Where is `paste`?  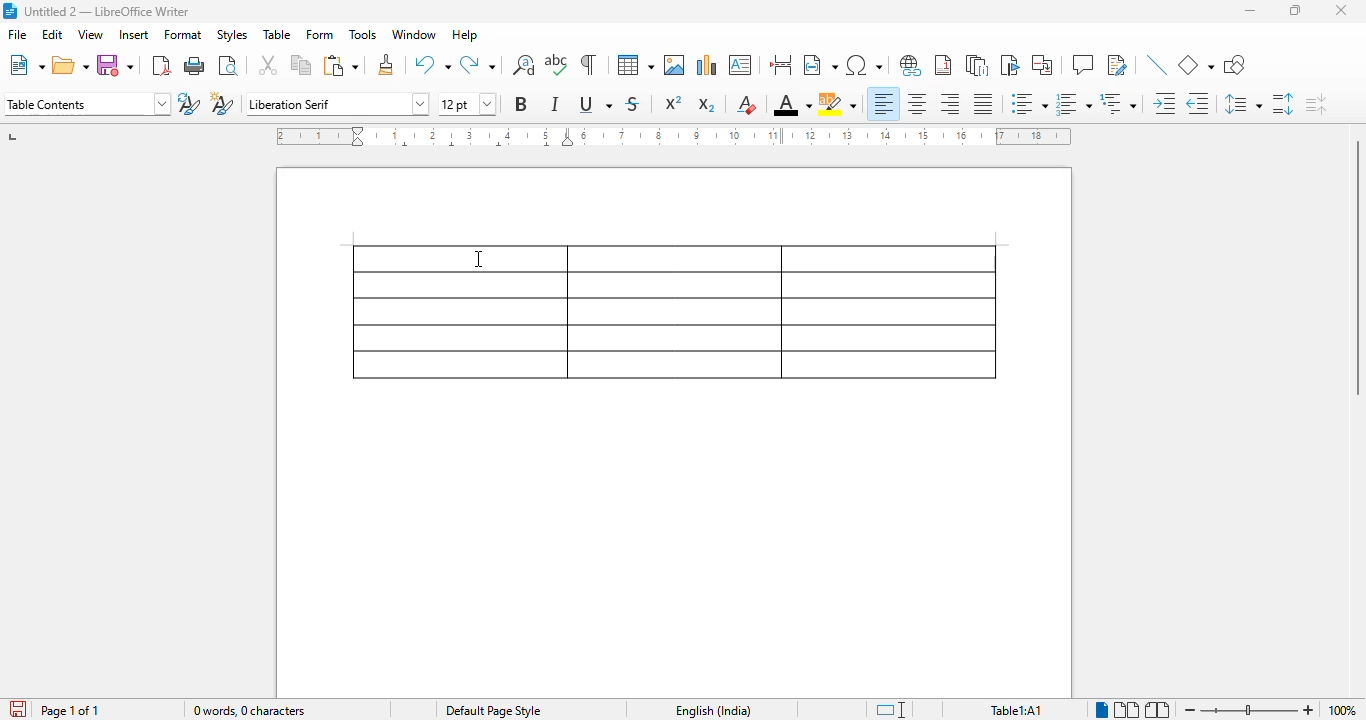
paste is located at coordinates (342, 65).